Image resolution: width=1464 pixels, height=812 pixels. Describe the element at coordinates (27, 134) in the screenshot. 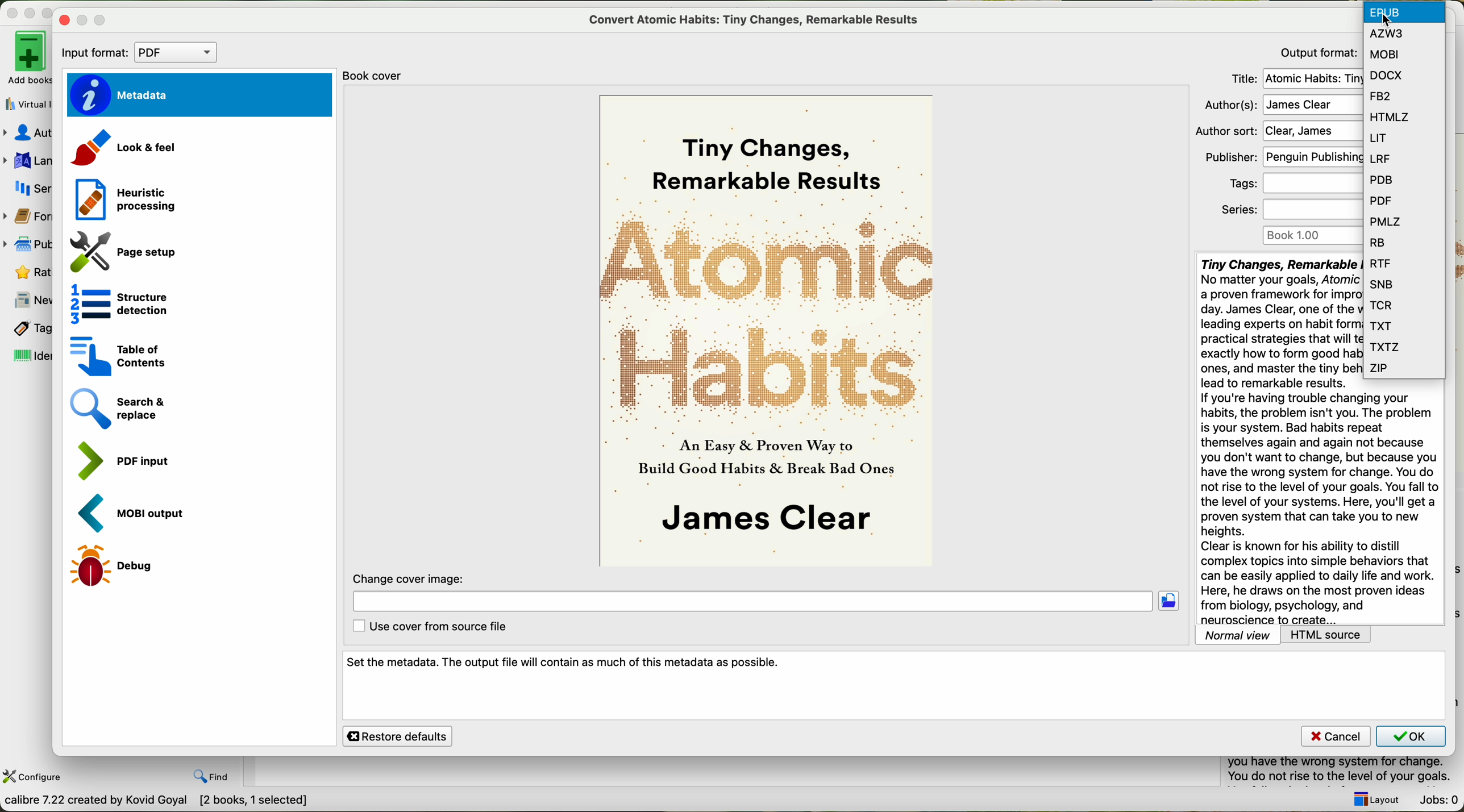

I see `authors` at that location.